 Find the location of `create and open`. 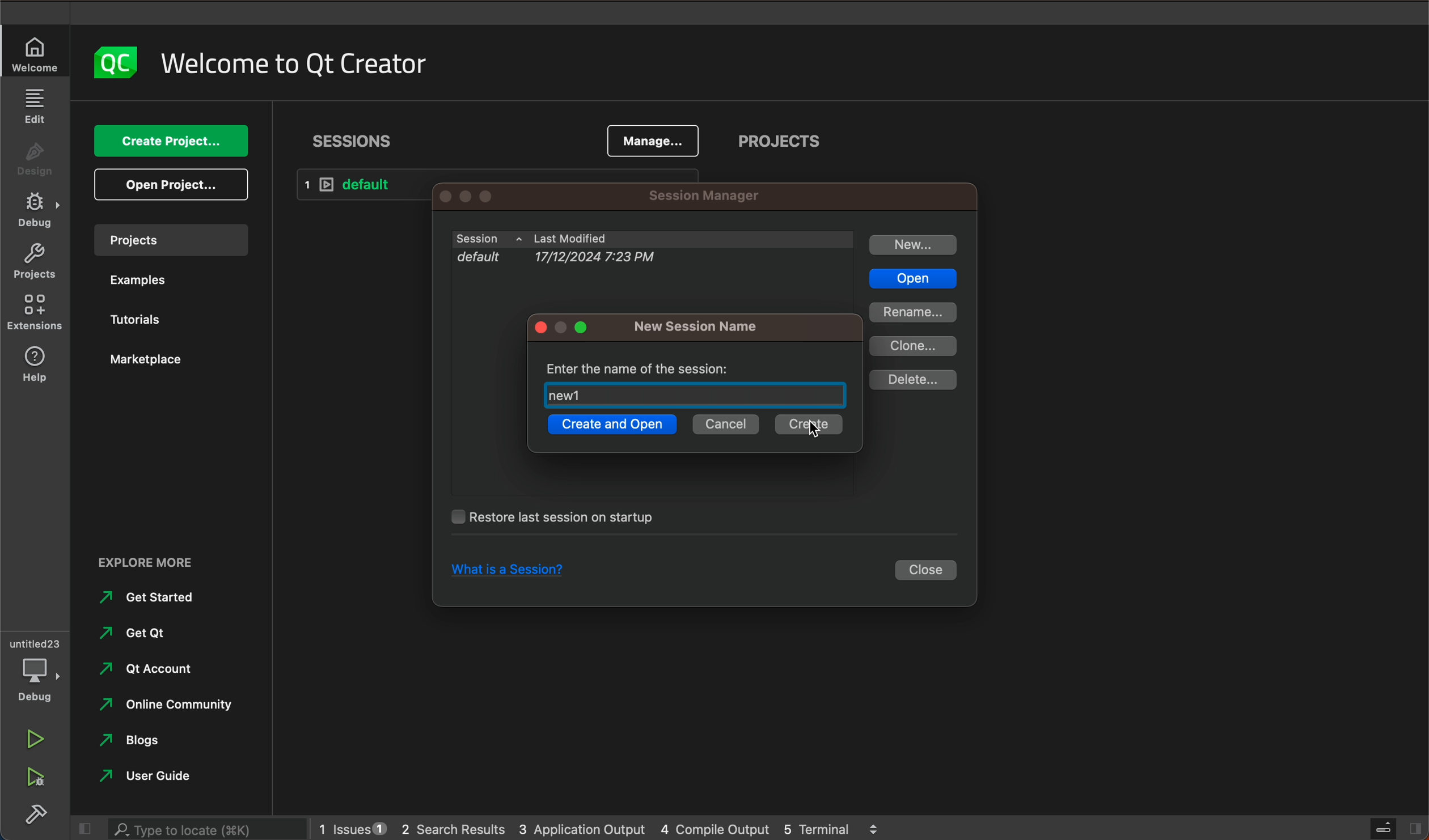

create and open is located at coordinates (610, 427).